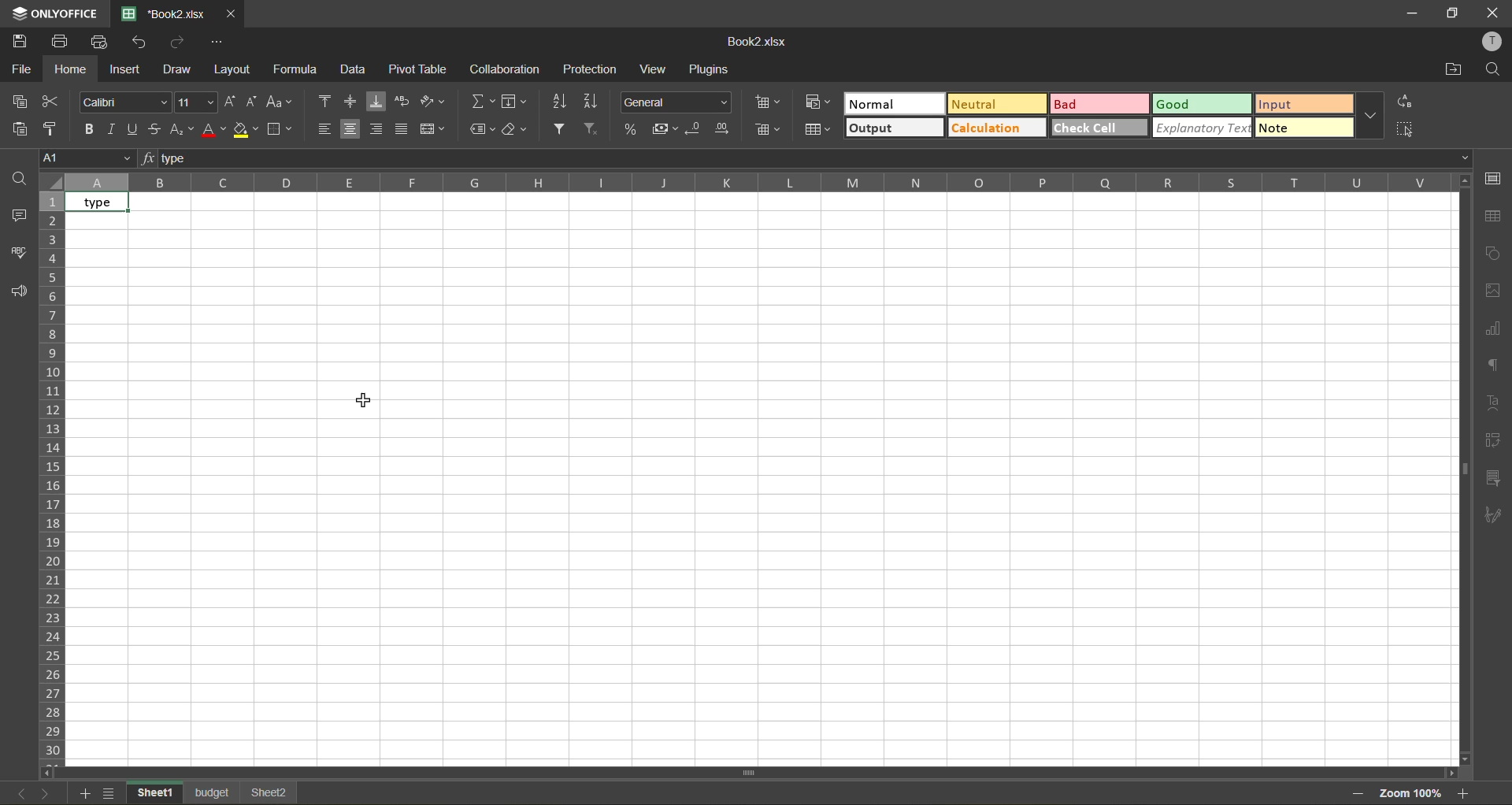 The image size is (1512, 805). I want to click on note, so click(1304, 128).